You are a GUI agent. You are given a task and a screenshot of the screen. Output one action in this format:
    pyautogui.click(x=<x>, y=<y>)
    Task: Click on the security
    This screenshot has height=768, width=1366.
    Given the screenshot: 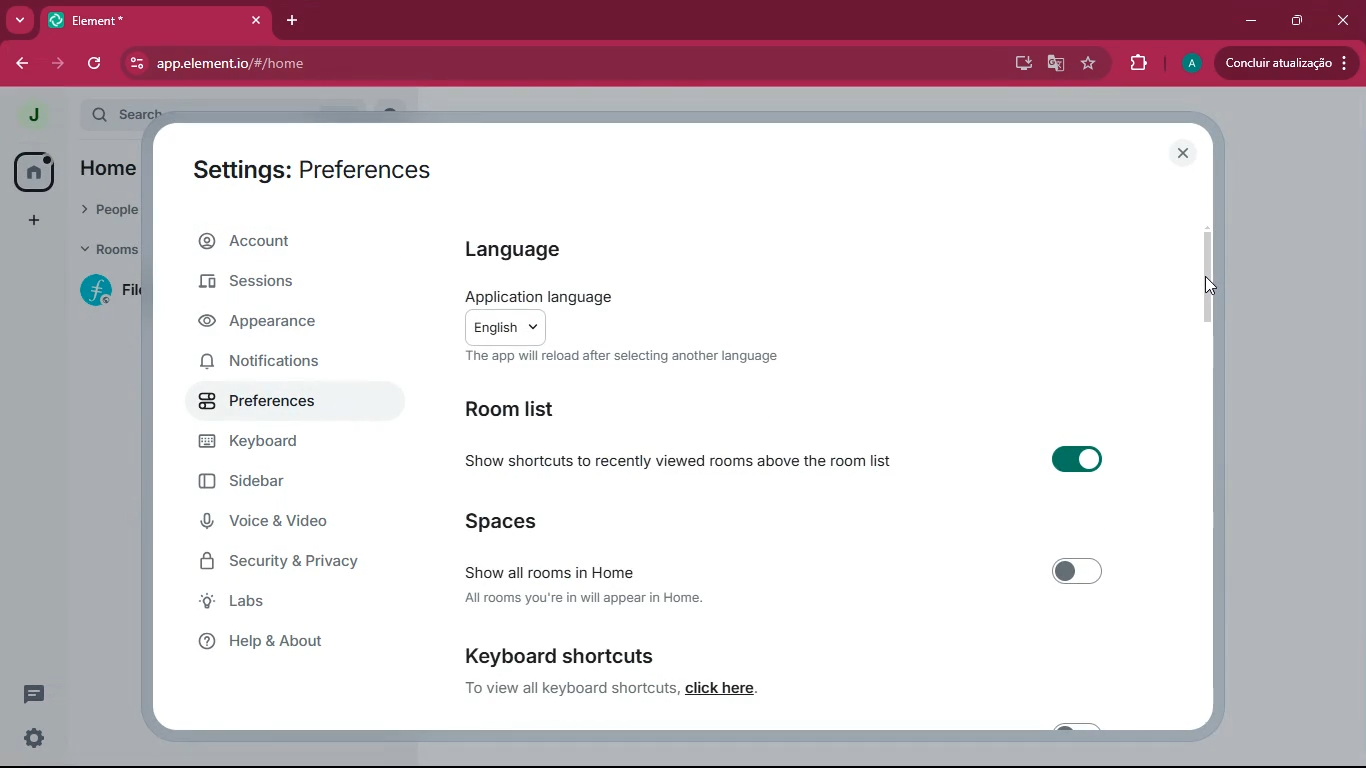 What is the action you would take?
    pyautogui.click(x=292, y=563)
    